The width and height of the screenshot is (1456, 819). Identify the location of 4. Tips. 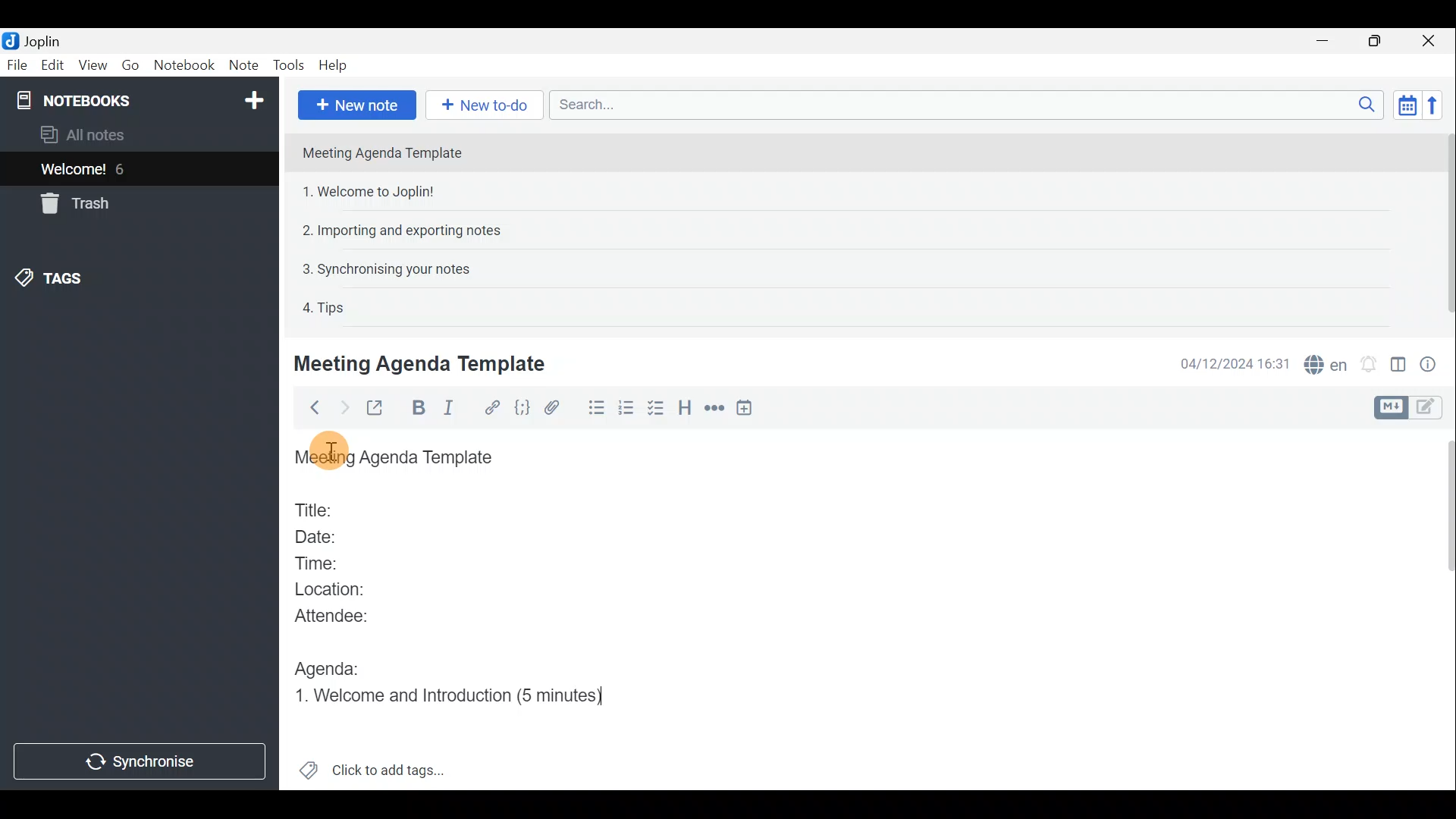
(325, 307).